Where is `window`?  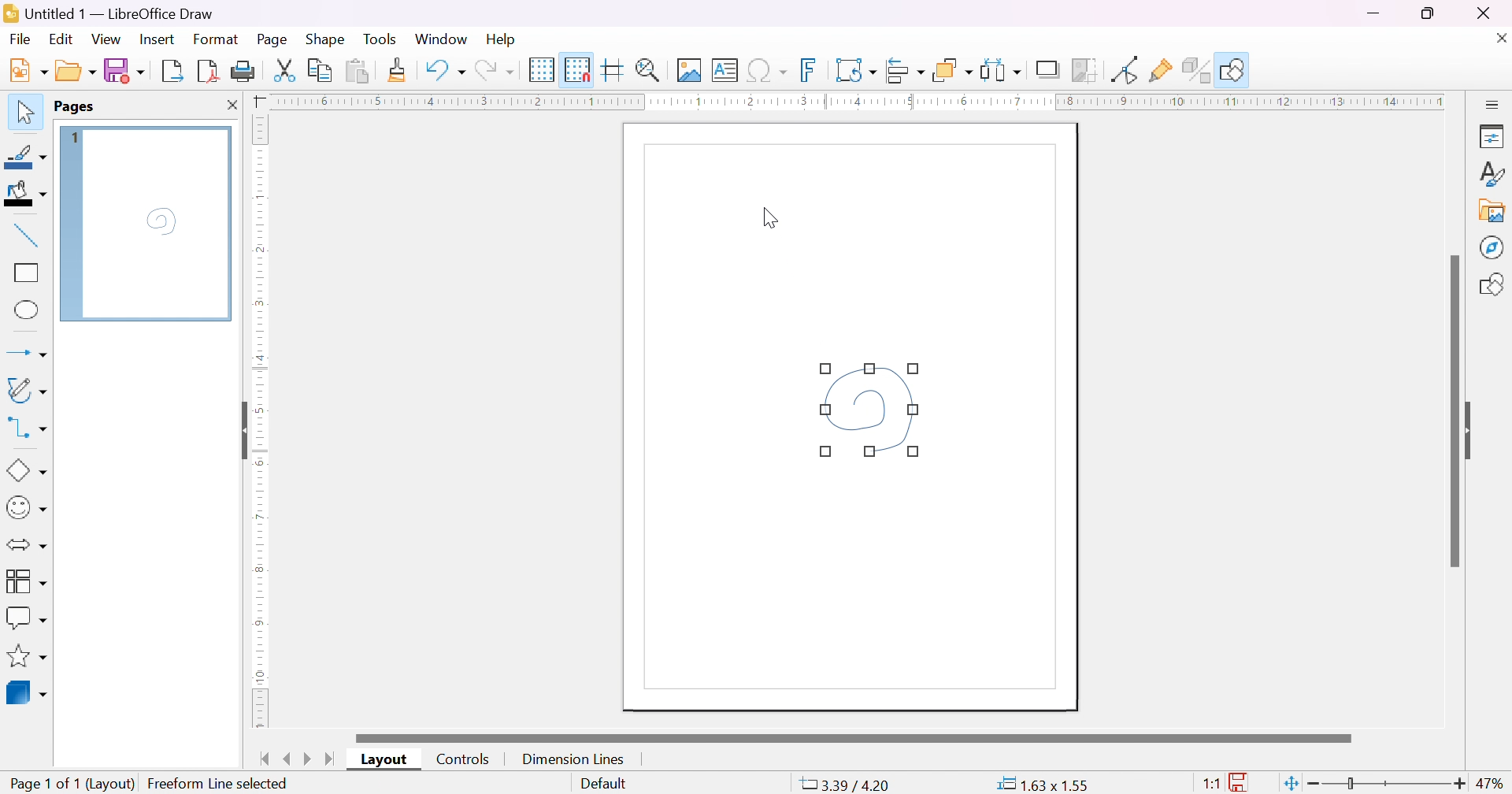 window is located at coordinates (440, 39).